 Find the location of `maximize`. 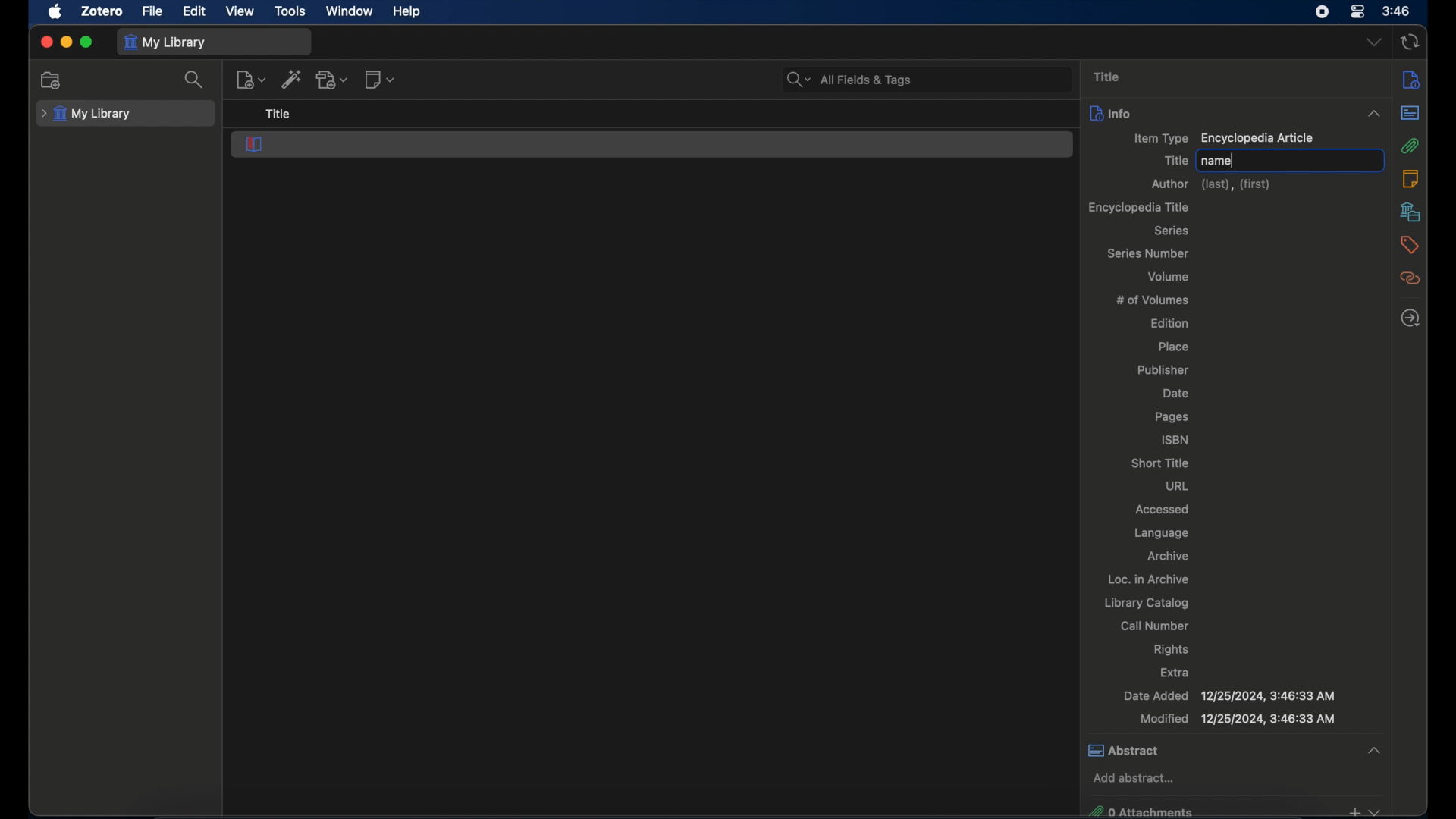

maximize is located at coordinates (86, 42).